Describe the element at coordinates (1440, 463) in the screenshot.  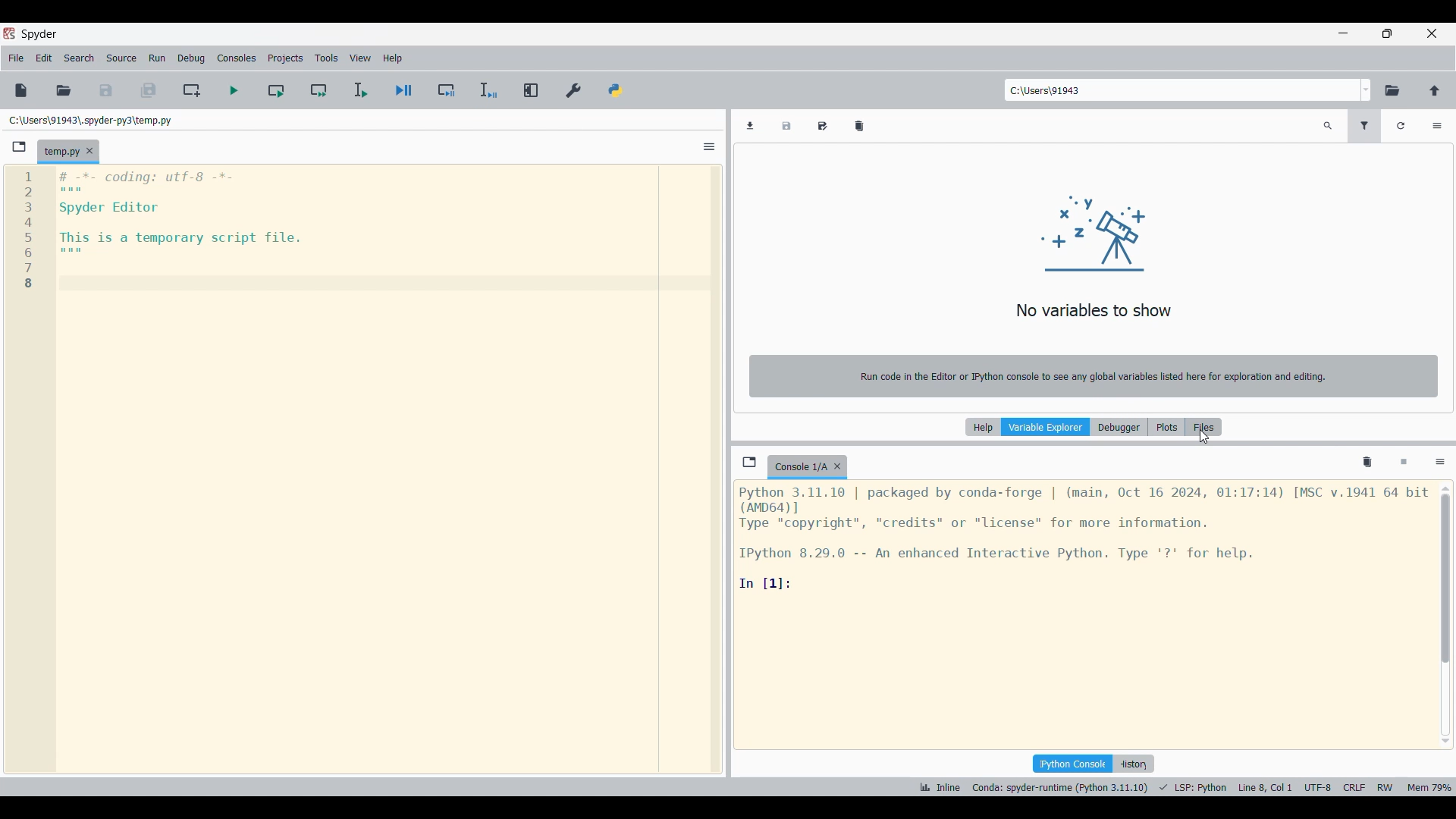
I see `Options` at that location.